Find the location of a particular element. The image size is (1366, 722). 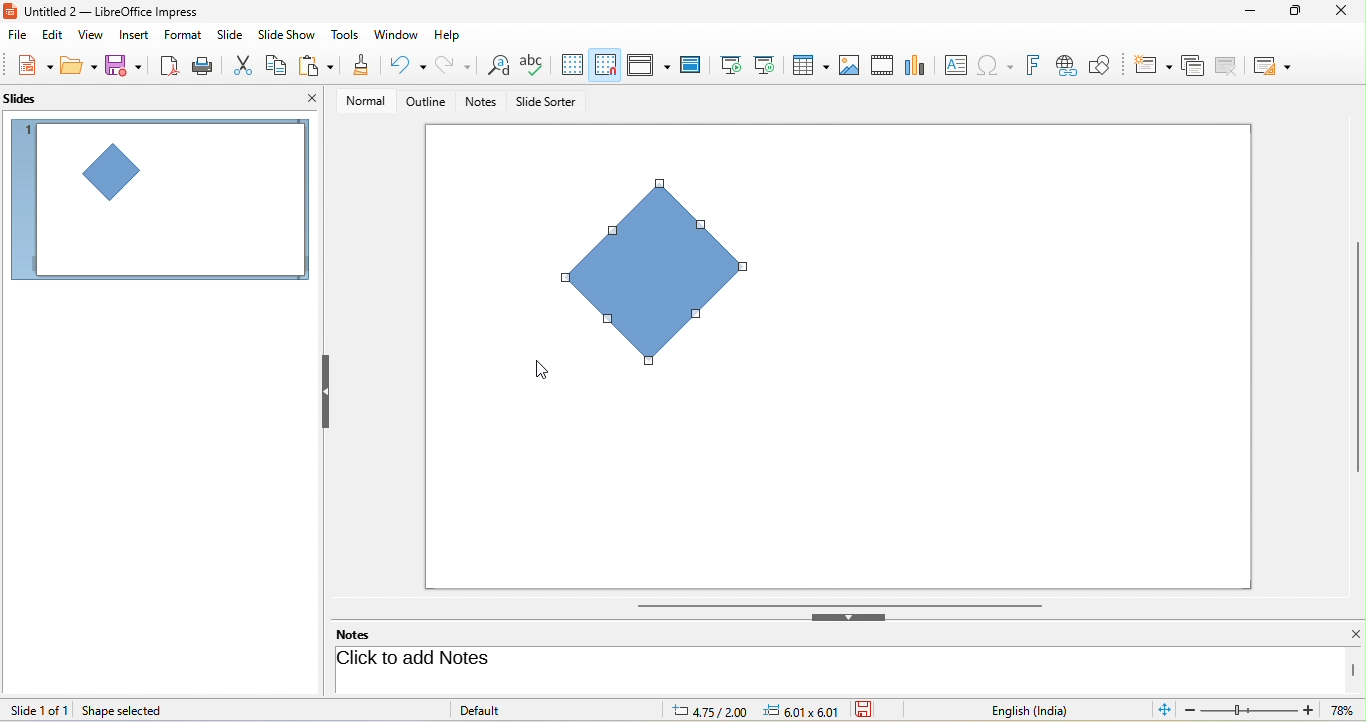

audio or video is located at coordinates (885, 67).